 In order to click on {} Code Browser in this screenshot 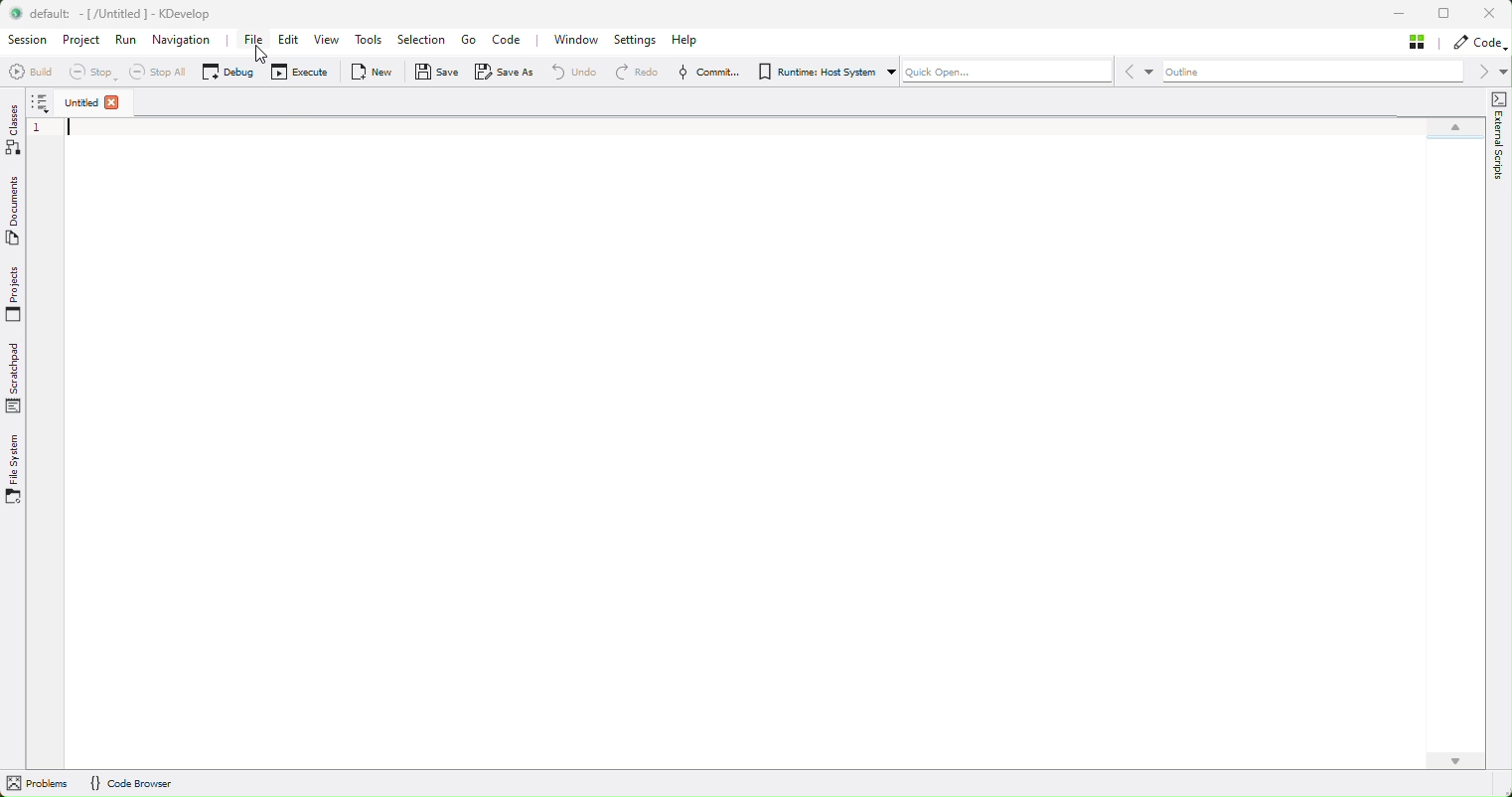, I will do `click(131, 784)`.